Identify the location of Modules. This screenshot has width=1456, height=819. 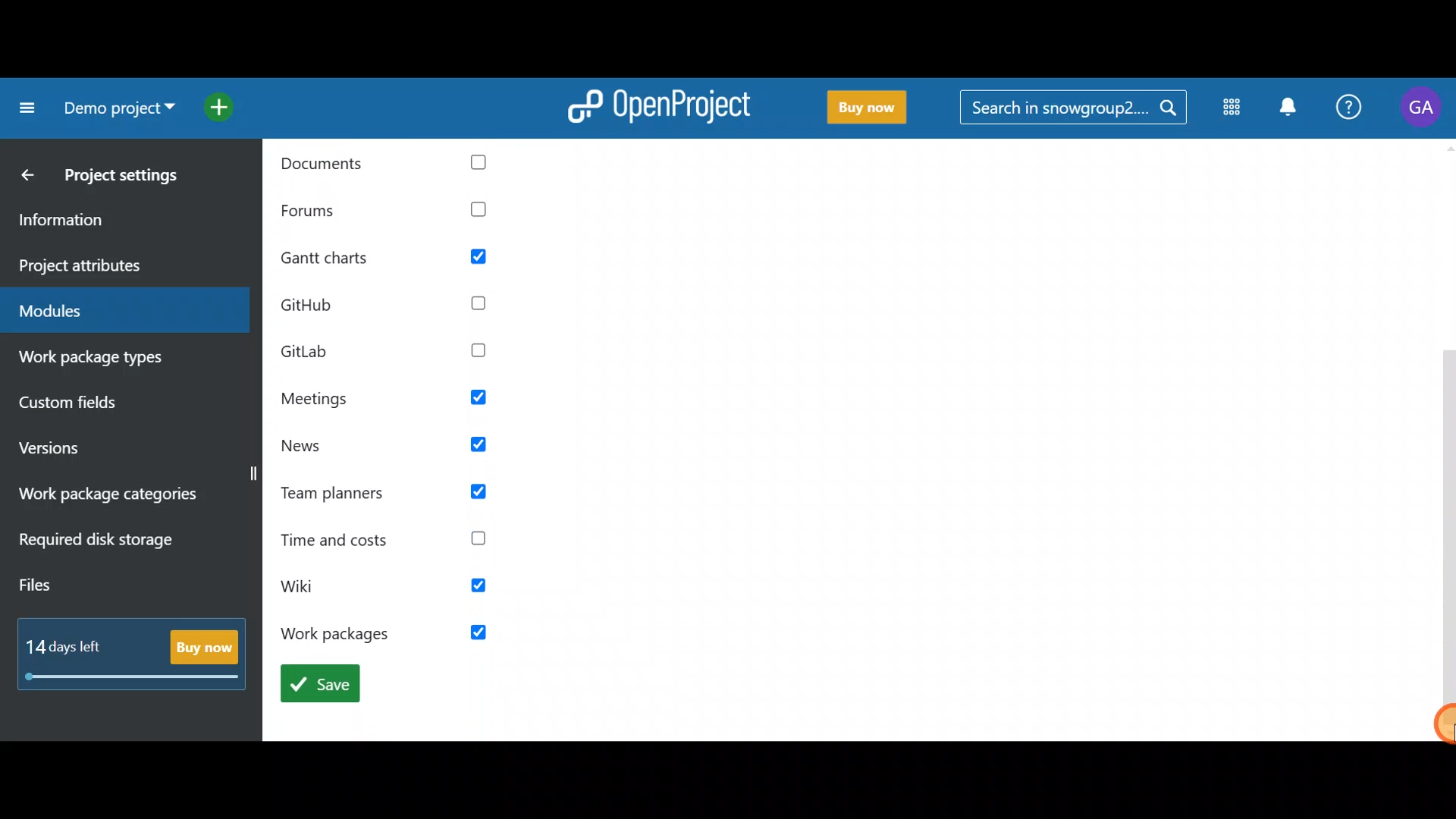
(1234, 108).